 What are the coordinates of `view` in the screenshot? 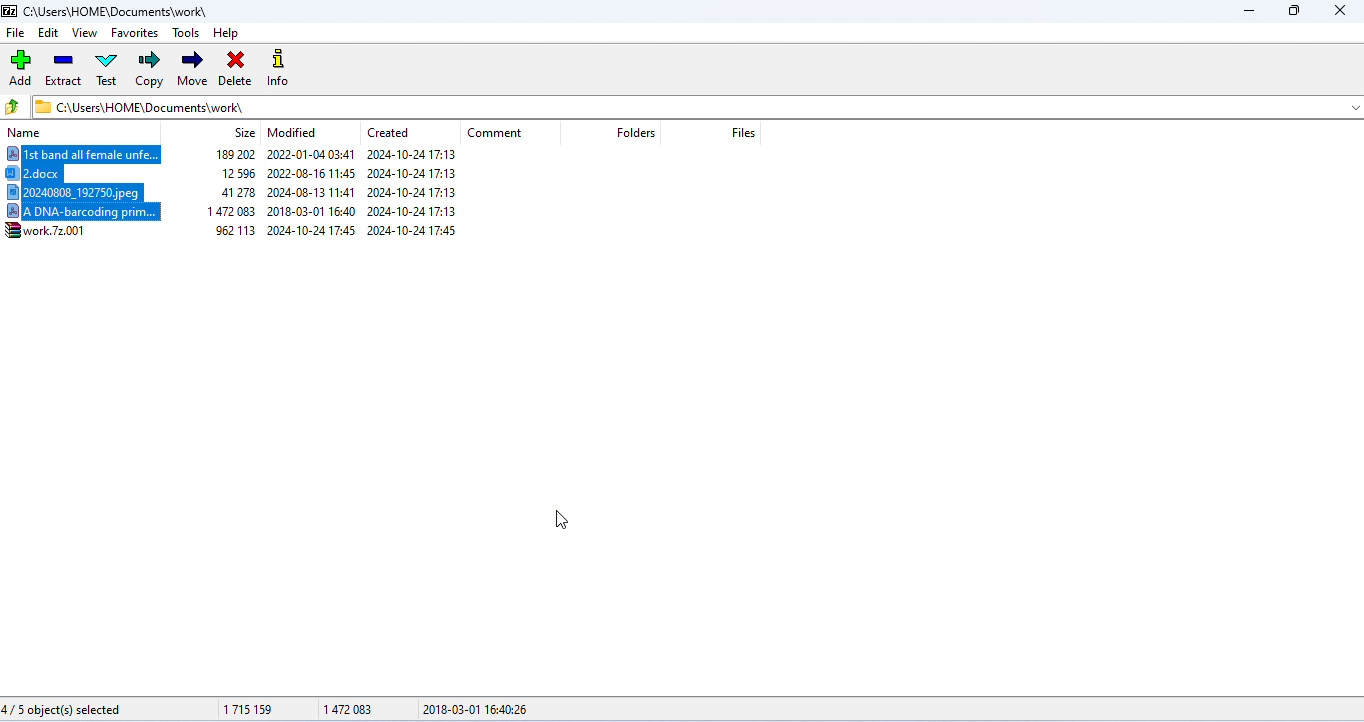 It's located at (84, 33).